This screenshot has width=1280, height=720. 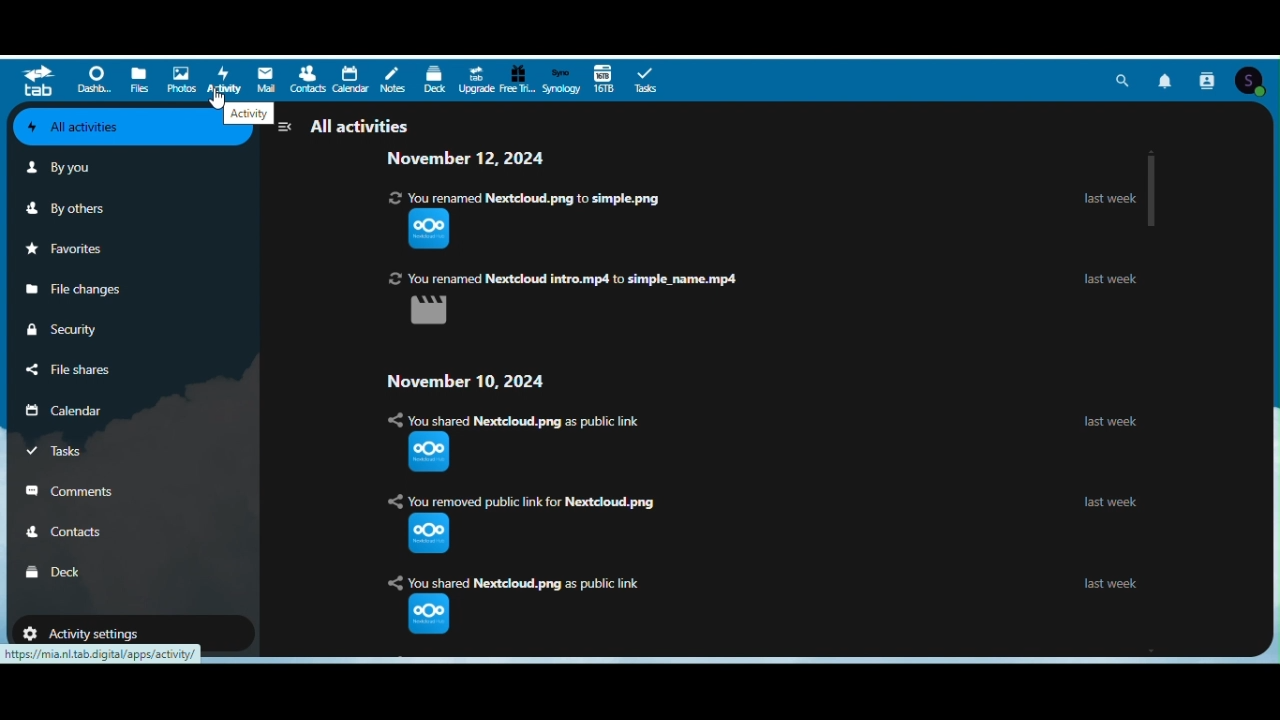 What do you see at coordinates (182, 79) in the screenshot?
I see `Photos` at bounding box center [182, 79].